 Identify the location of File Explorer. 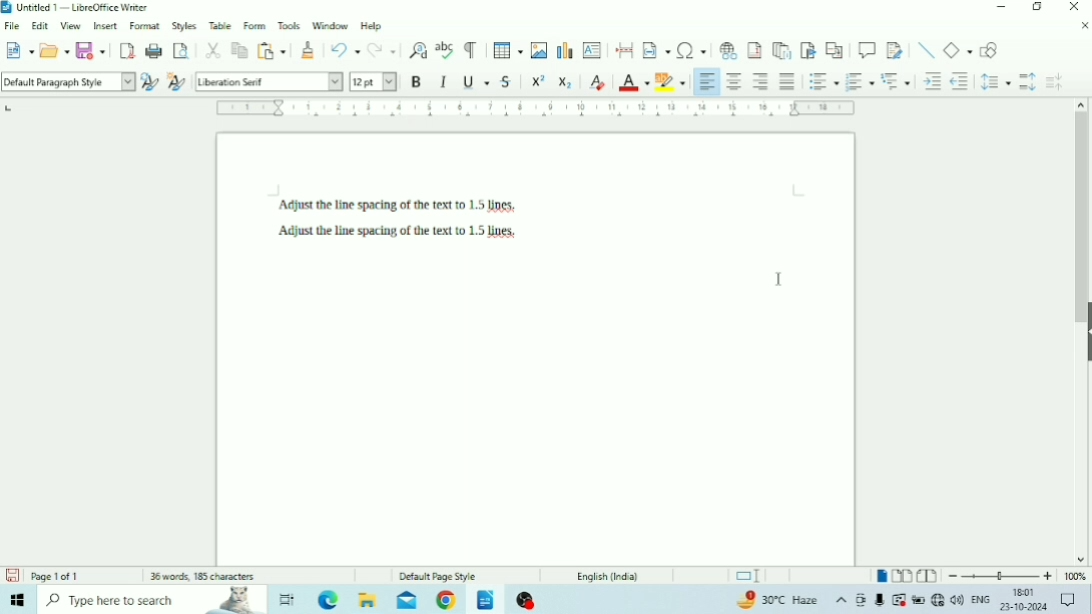
(367, 599).